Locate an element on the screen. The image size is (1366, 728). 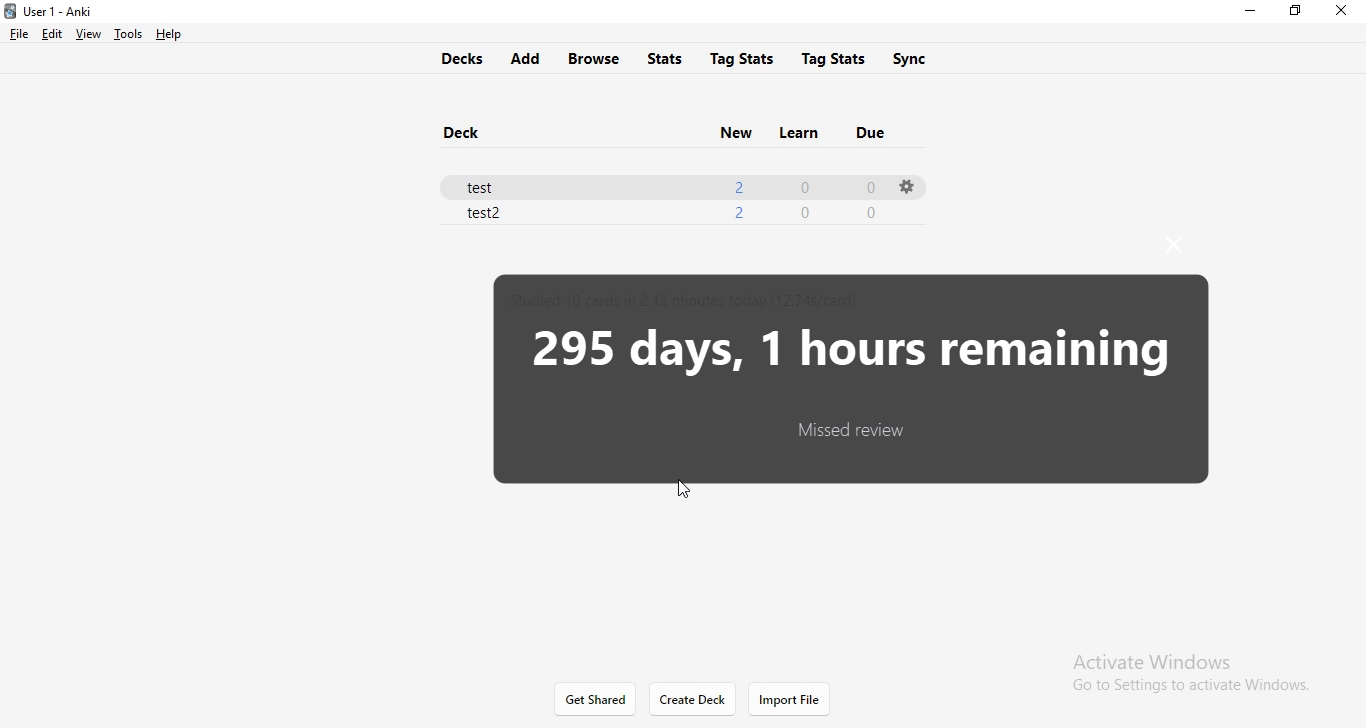
settings is located at coordinates (905, 186).